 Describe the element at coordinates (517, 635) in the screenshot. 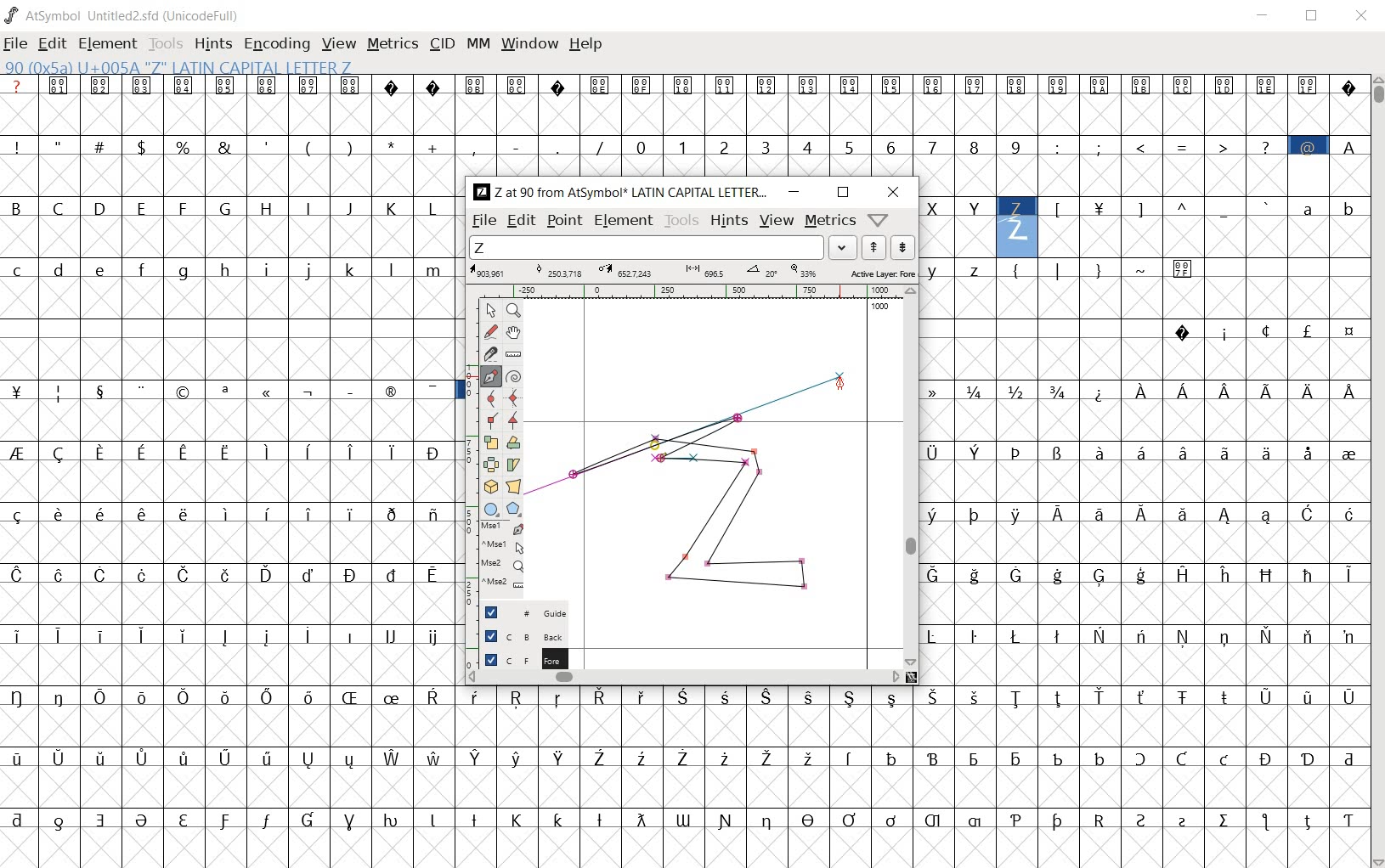

I see `Background` at that location.